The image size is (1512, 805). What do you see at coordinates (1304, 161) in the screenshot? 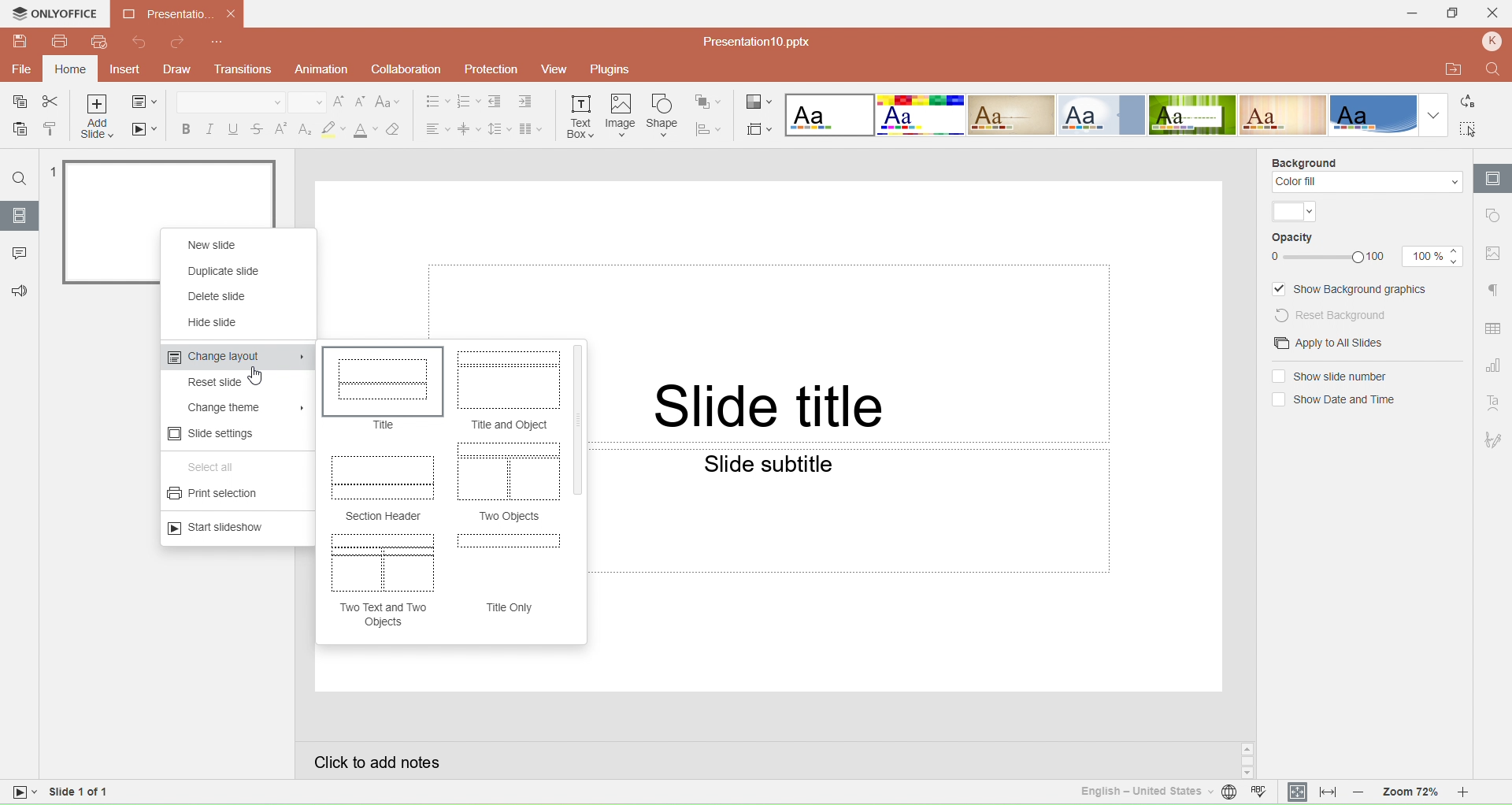
I see `Background` at bounding box center [1304, 161].